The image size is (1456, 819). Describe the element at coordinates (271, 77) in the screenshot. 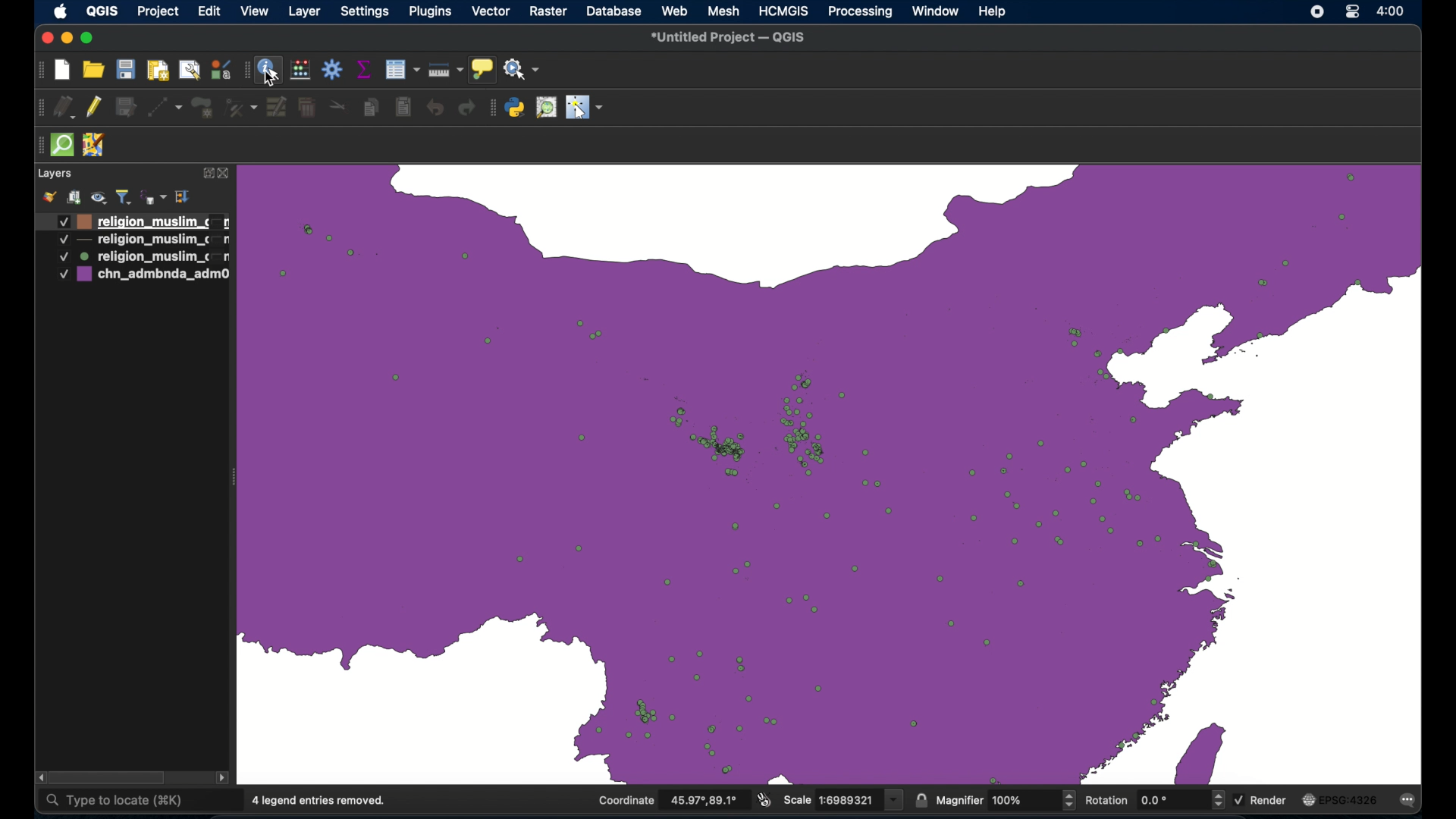

I see `cursor` at that location.